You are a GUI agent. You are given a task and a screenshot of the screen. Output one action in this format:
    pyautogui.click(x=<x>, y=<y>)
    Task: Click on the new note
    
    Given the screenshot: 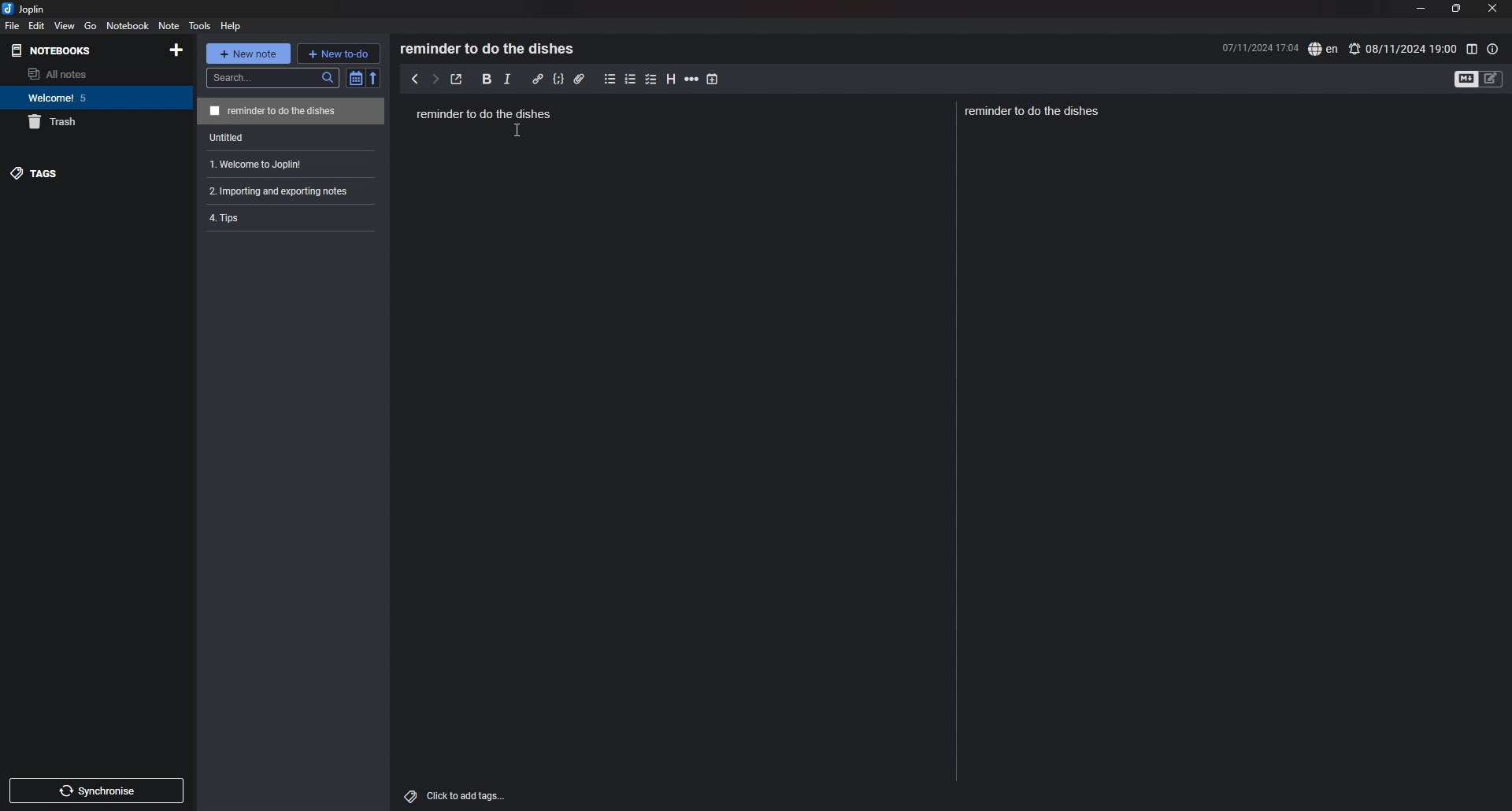 What is the action you would take?
    pyautogui.click(x=248, y=52)
    